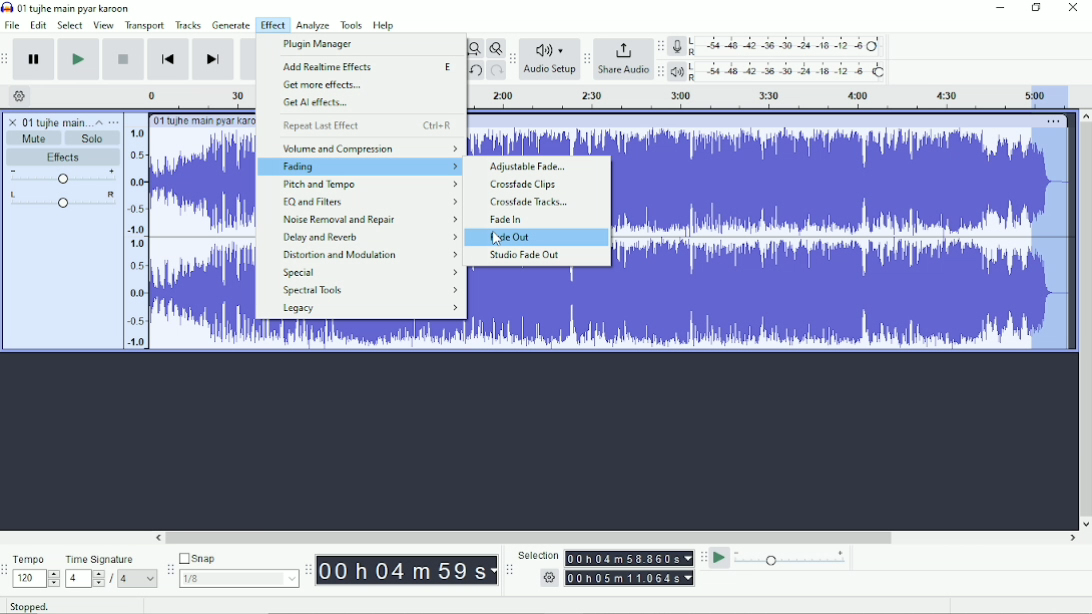 The height and width of the screenshot is (614, 1092). What do you see at coordinates (37, 578) in the screenshot?
I see `120` at bounding box center [37, 578].